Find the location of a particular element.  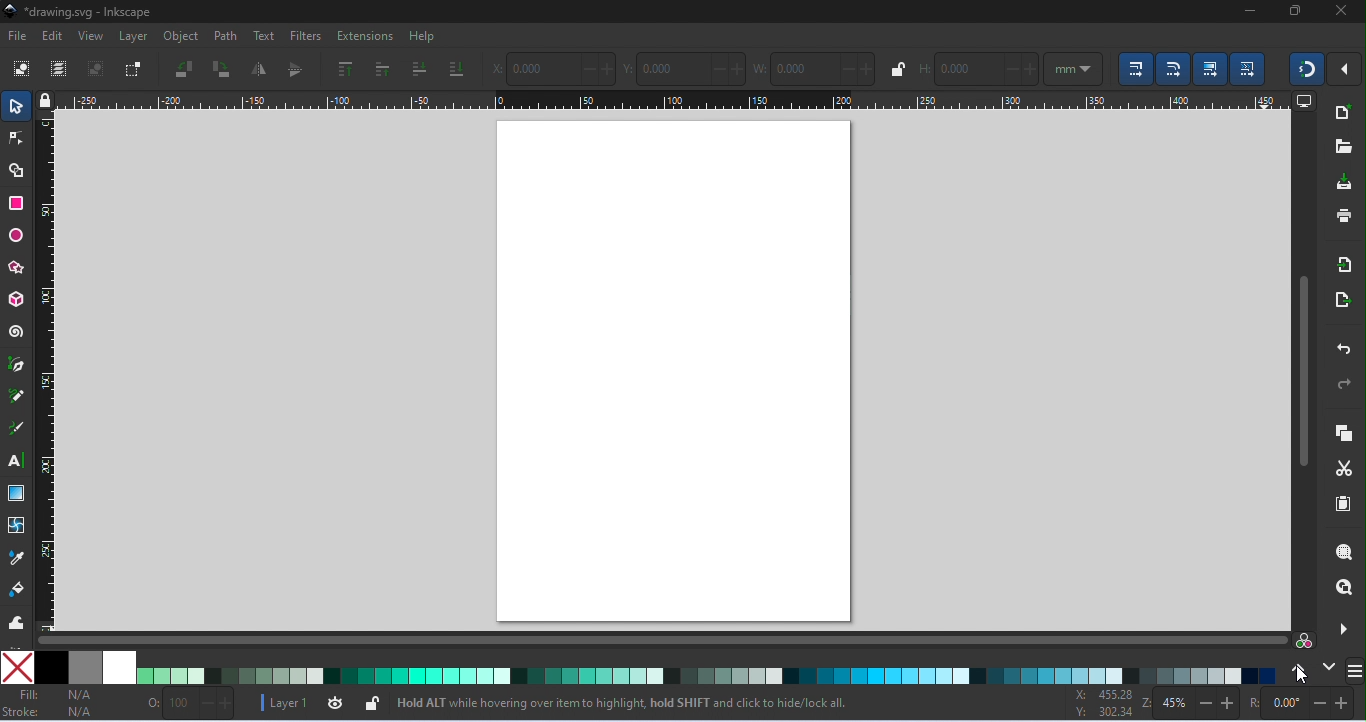

none is located at coordinates (18, 667).